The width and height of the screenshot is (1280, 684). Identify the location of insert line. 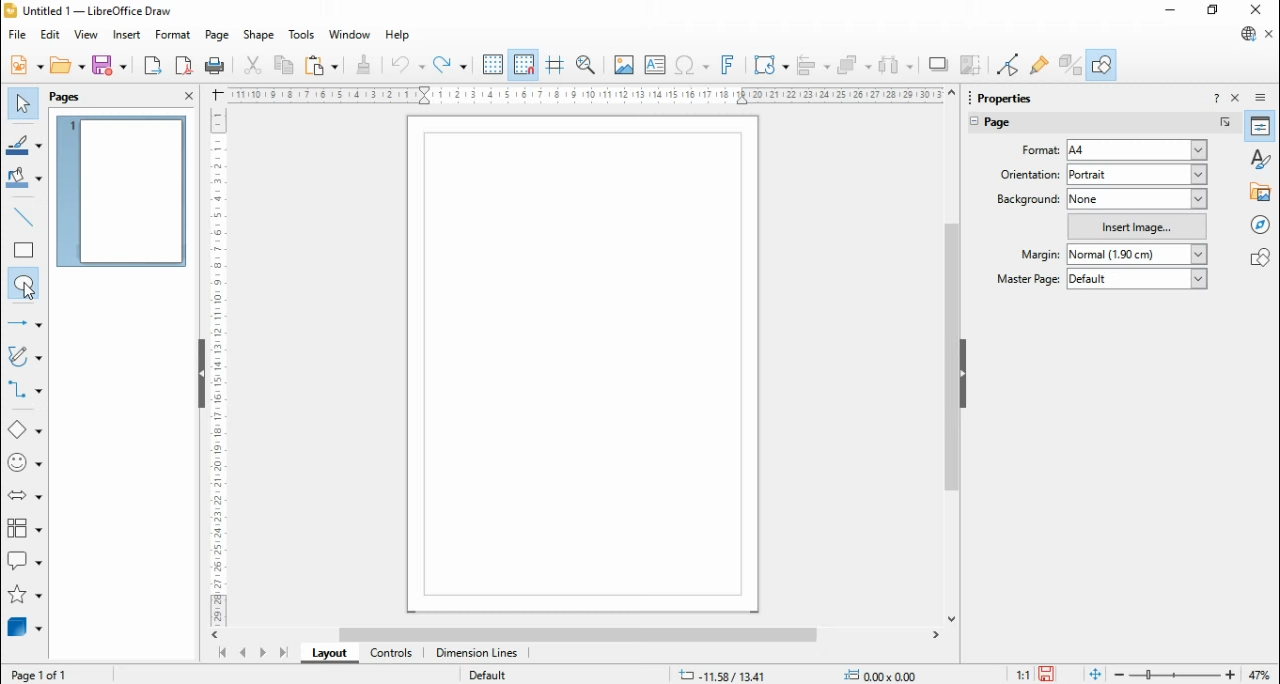
(26, 217).